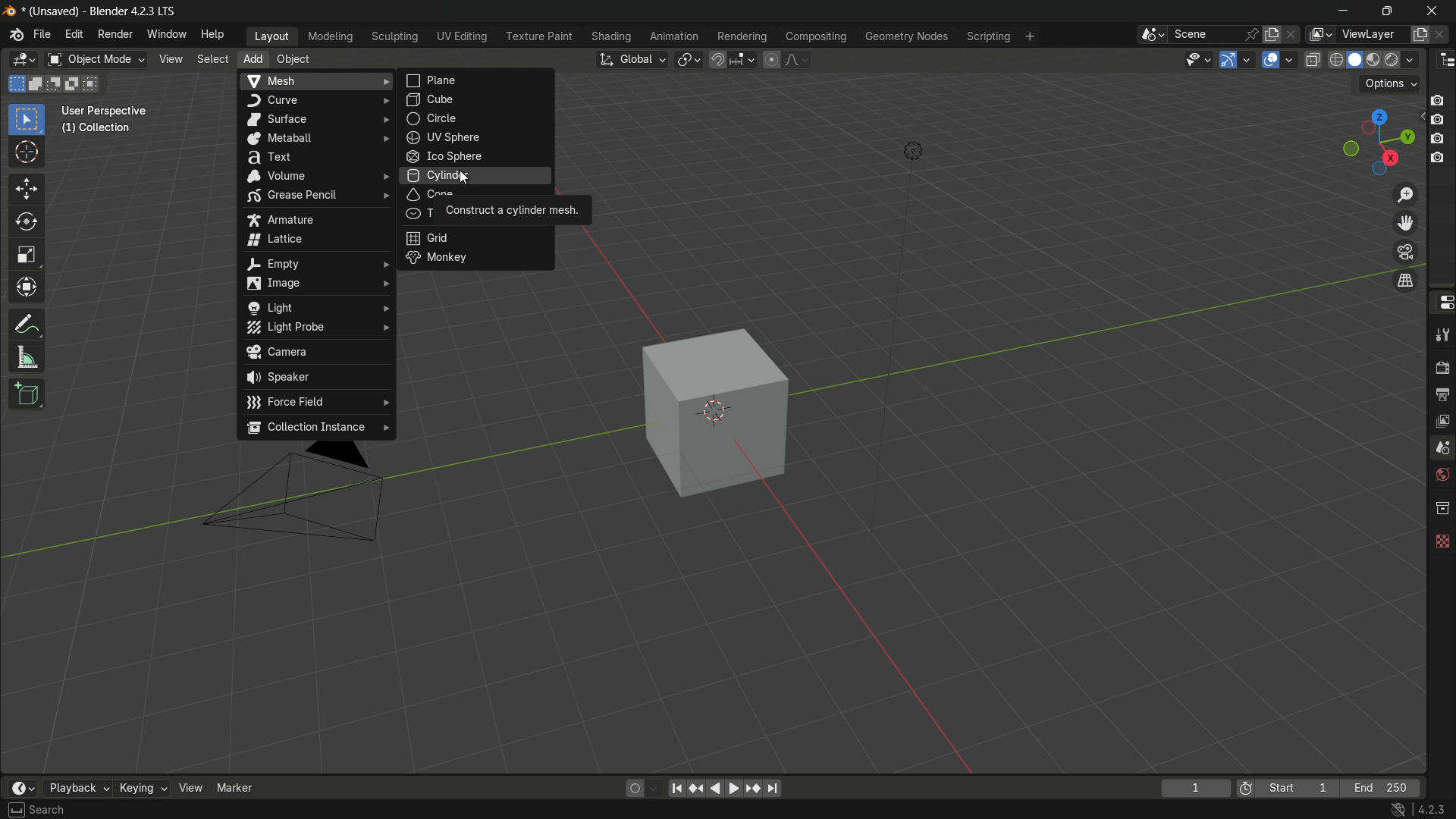 The image size is (1456, 819). I want to click on add cube, so click(26, 395).